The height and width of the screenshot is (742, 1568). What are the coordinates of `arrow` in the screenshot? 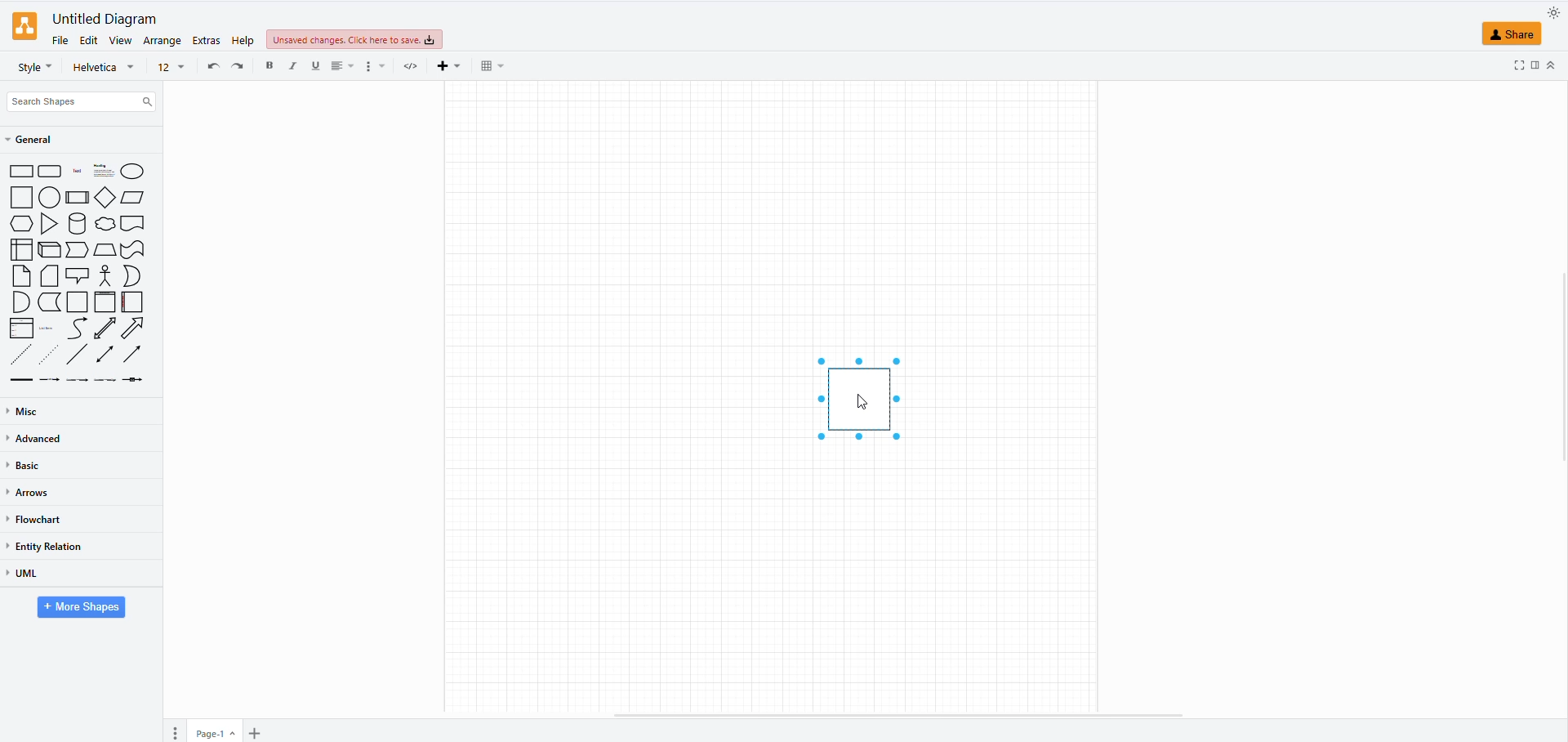 It's located at (136, 329).